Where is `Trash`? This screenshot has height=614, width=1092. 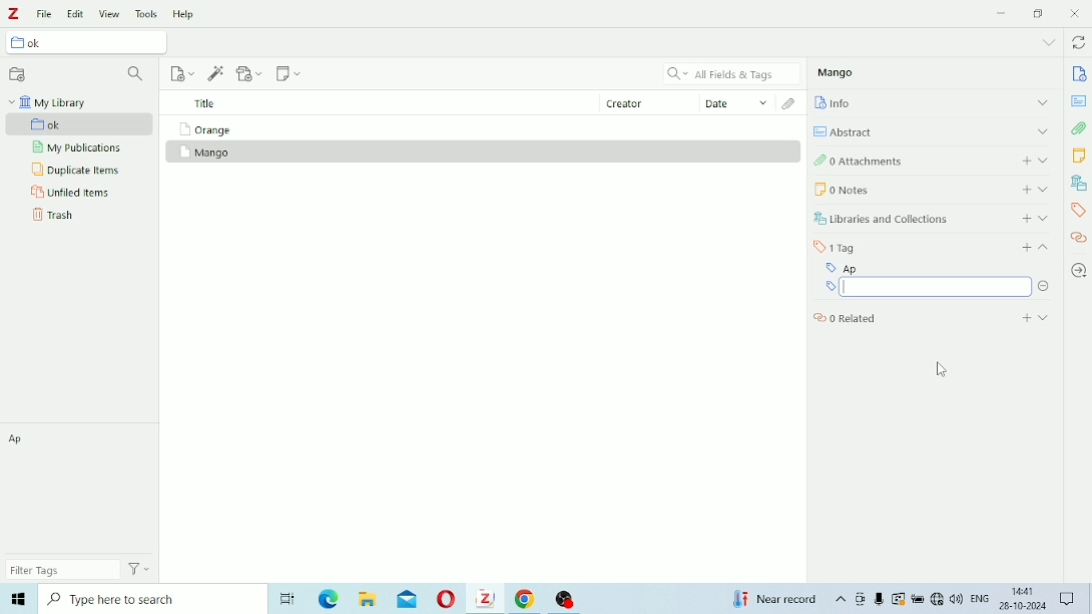 Trash is located at coordinates (56, 214).